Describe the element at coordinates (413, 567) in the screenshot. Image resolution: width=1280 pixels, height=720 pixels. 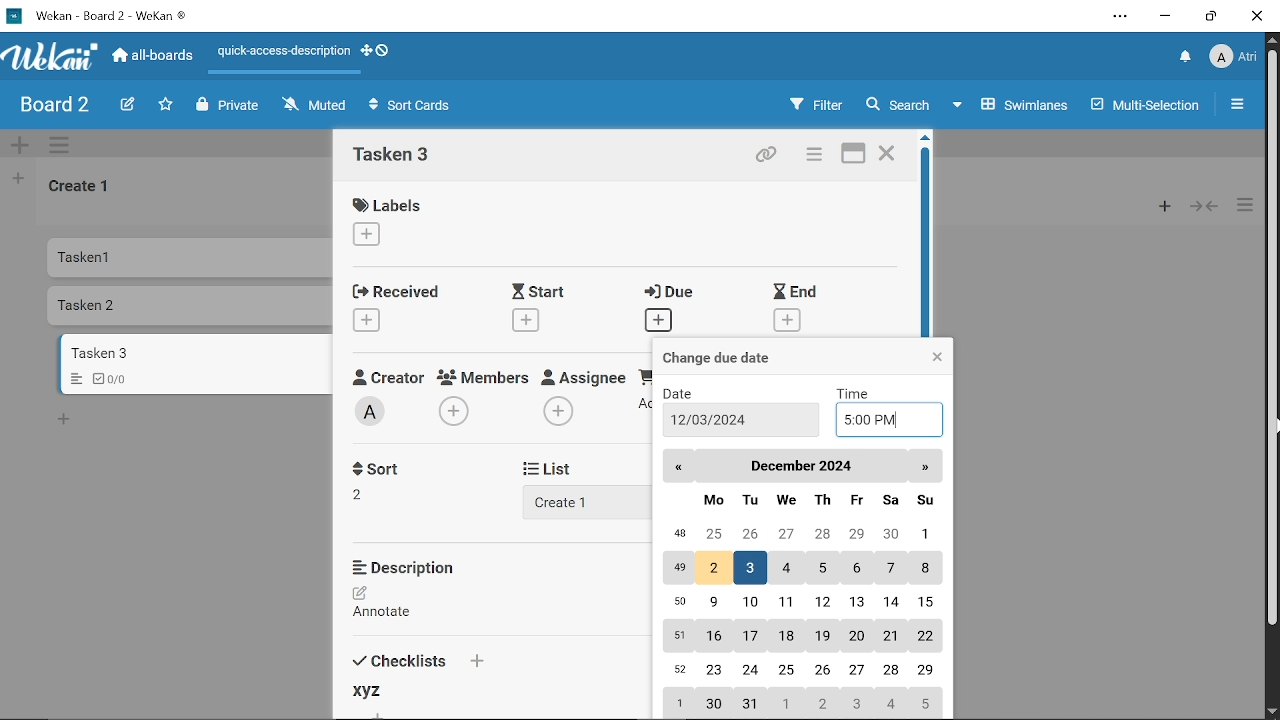
I see `Description` at that location.